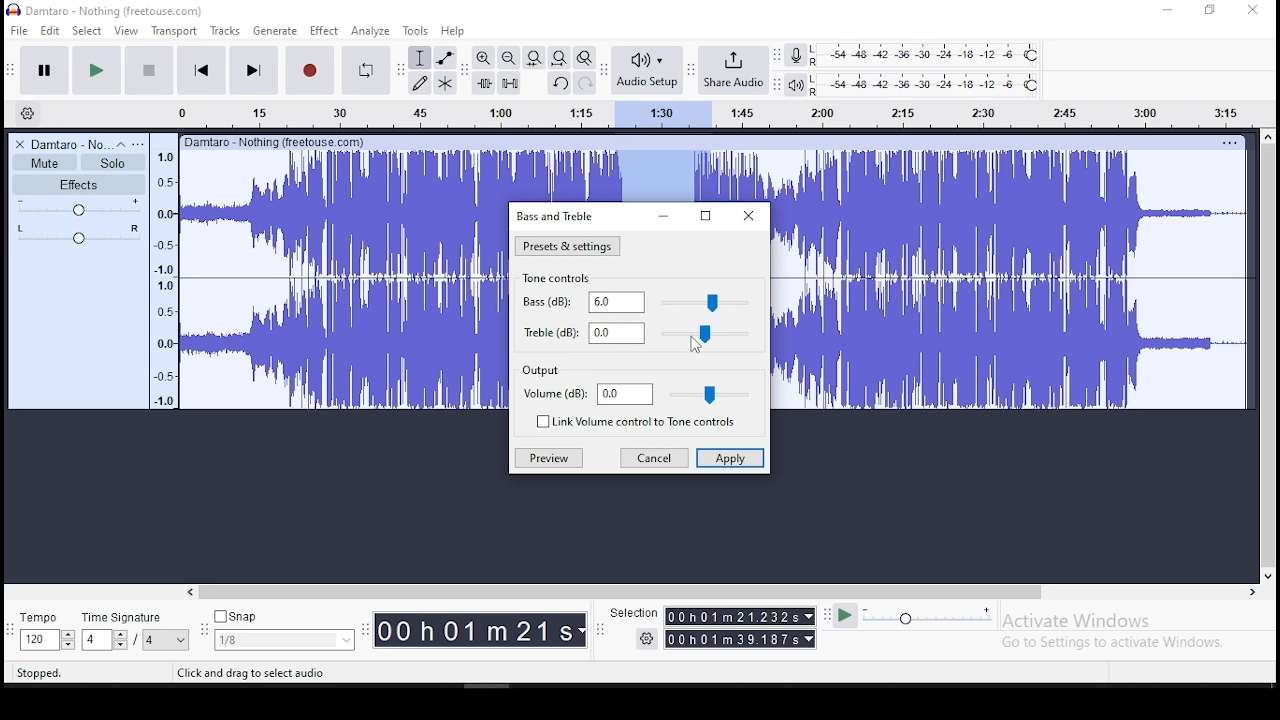 This screenshot has height=720, width=1280. Describe the element at coordinates (366, 628) in the screenshot. I see `` at that location.